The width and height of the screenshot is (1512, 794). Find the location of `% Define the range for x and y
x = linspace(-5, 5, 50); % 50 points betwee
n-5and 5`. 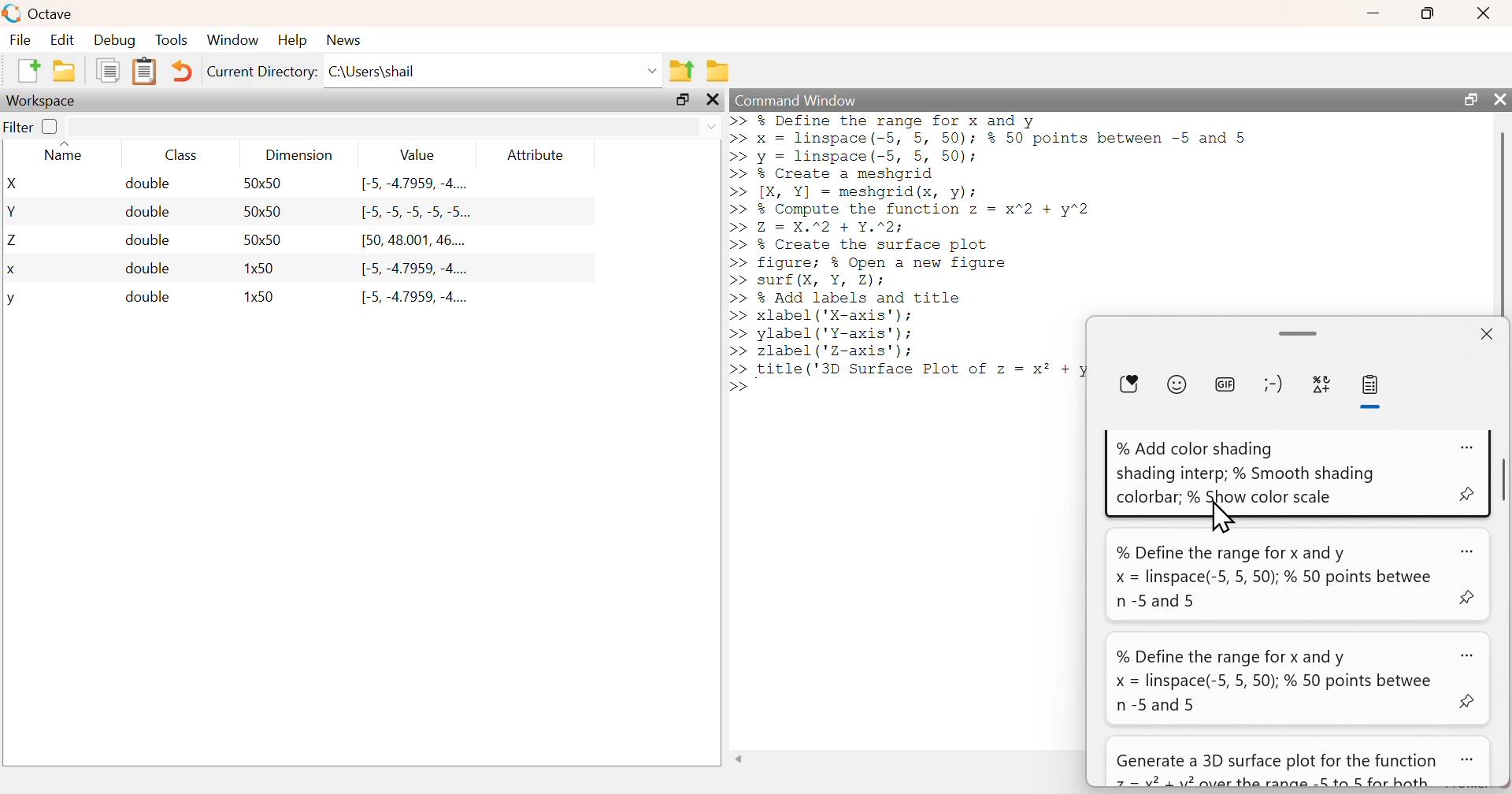

% Define the range for x and y
x = linspace(-5, 5, 50); % 50 points betwee
n-5and 5 is located at coordinates (1273, 576).